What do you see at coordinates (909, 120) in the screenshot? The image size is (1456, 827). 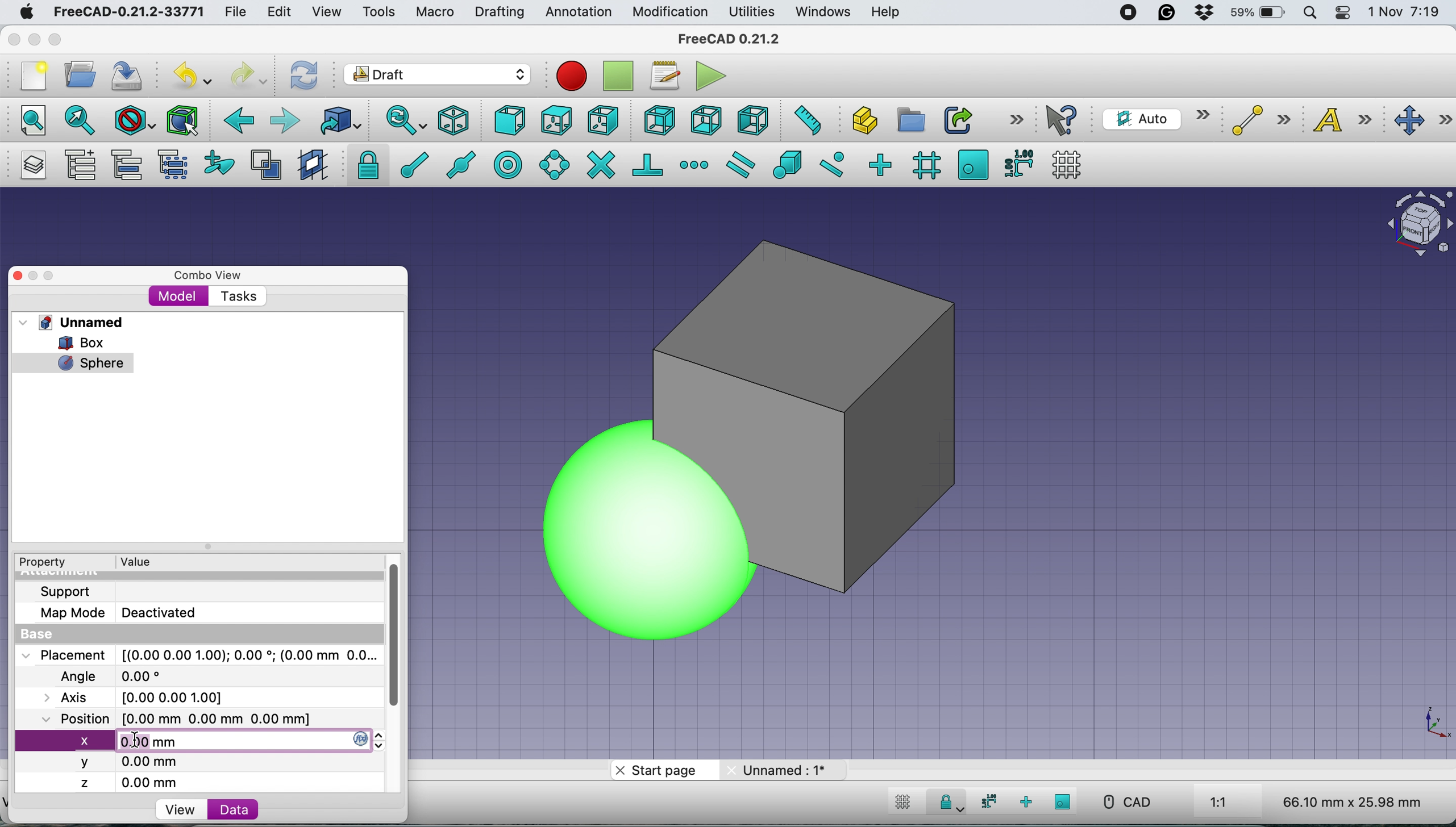 I see `create group` at bounding box center [909, 120].